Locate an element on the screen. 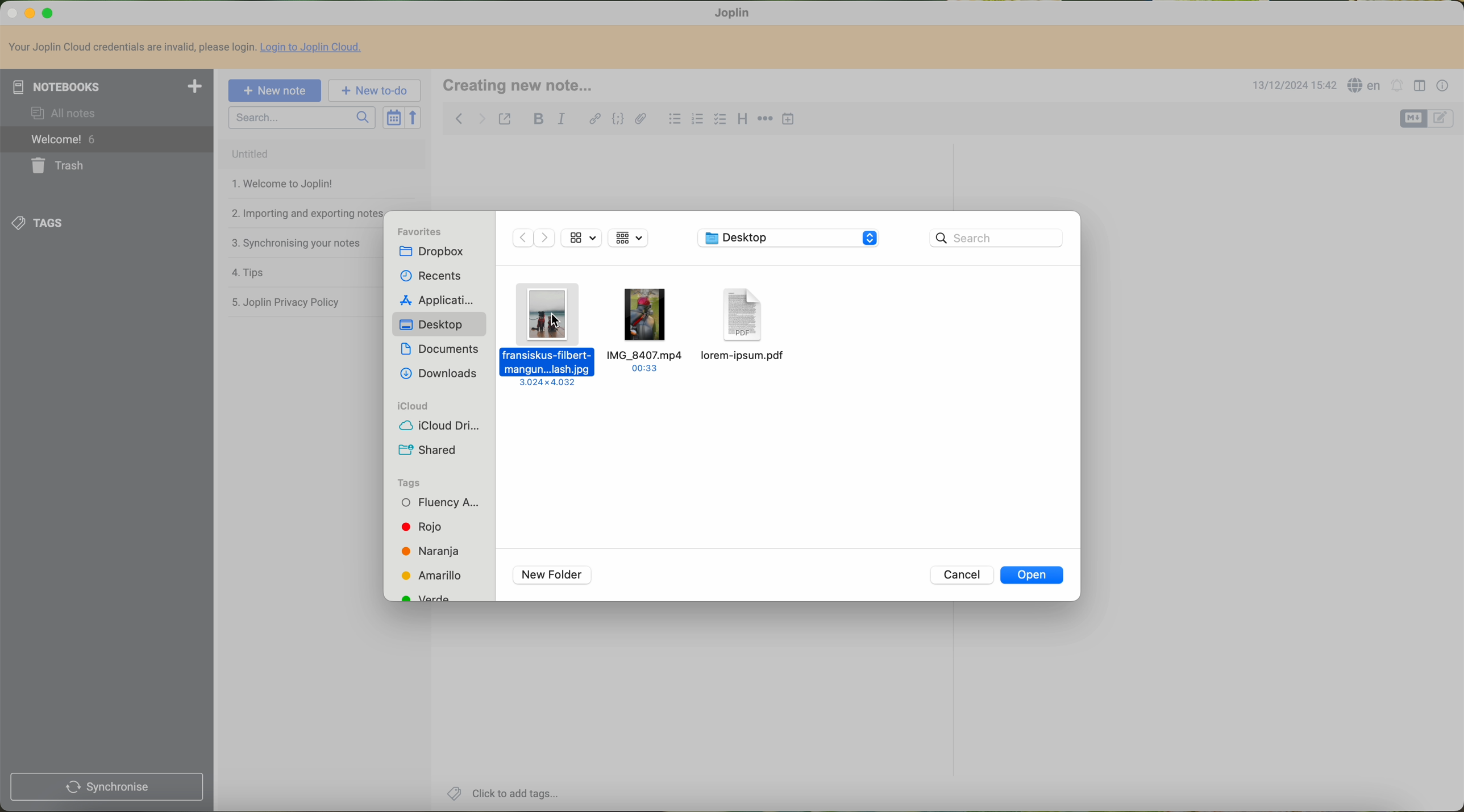 The height and width of the screenshot is (812, 1464). tags is located at coordinates (415, 482).